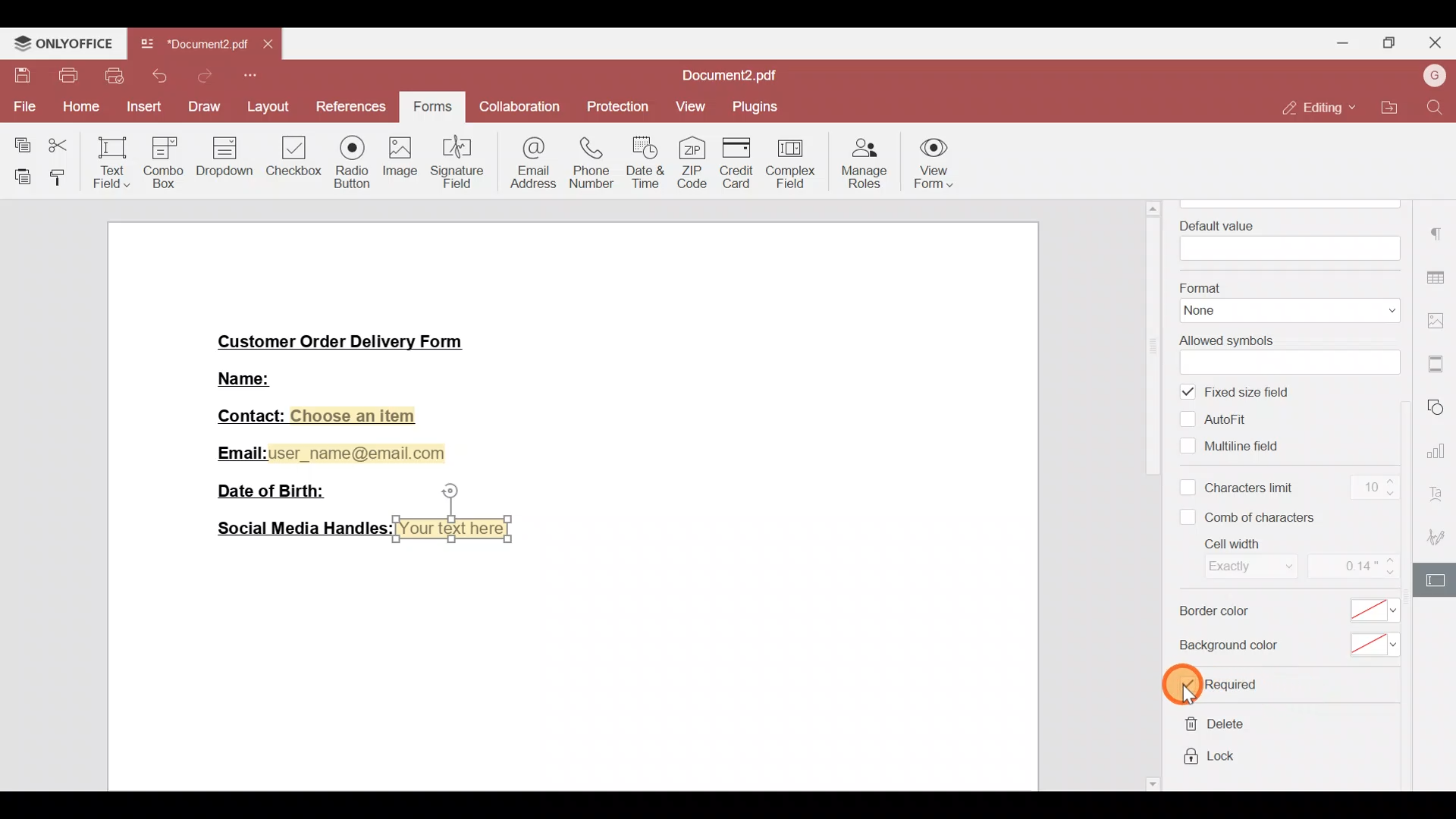 Image resolution: width=1456 pixels, height=819 pixels. Describe the element at coordinates (1441, 536) in the screenshot. I see `Signature settings` at that location.